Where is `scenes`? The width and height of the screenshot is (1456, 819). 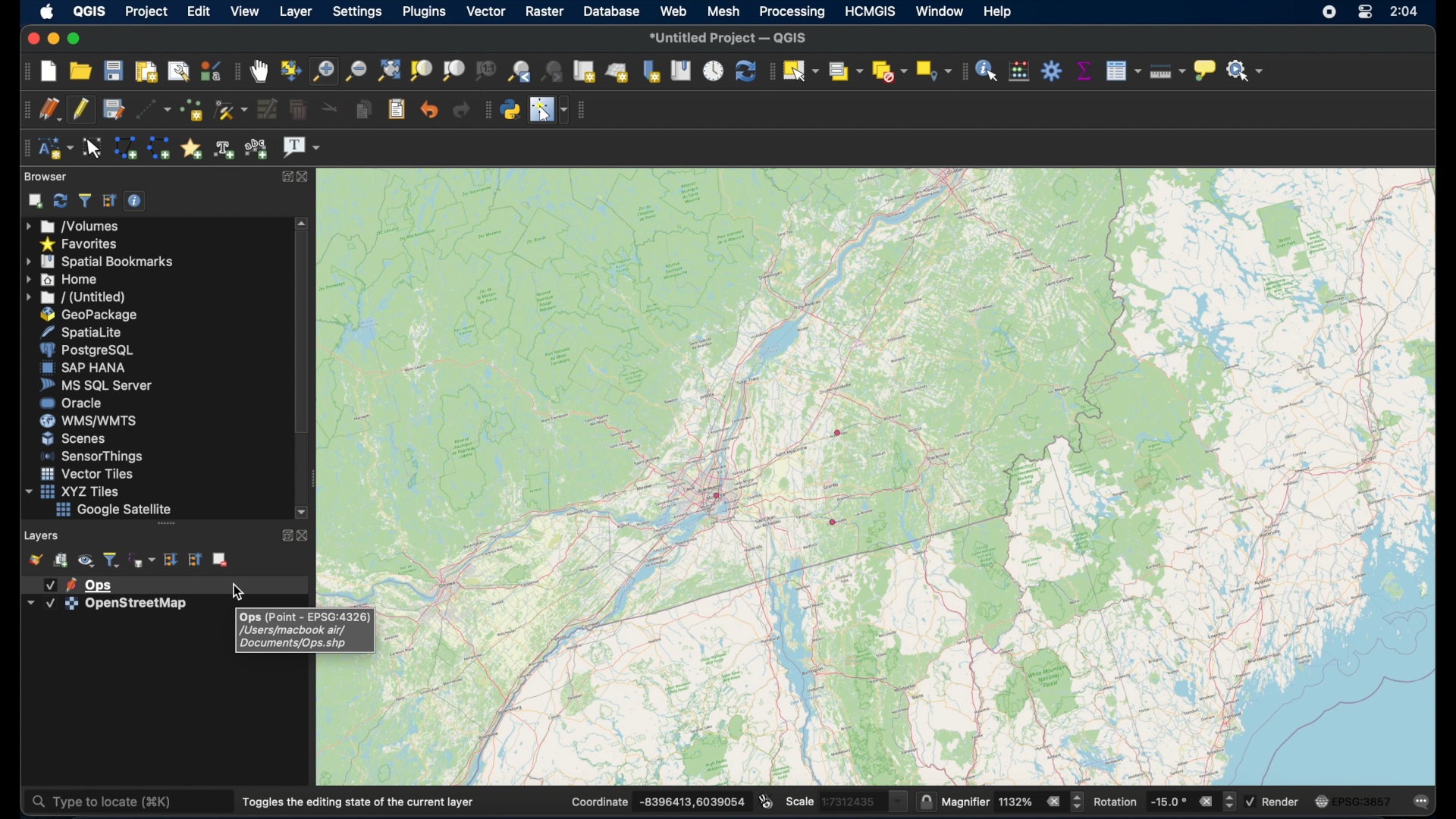
scenes is located at coordinates (74, 438).